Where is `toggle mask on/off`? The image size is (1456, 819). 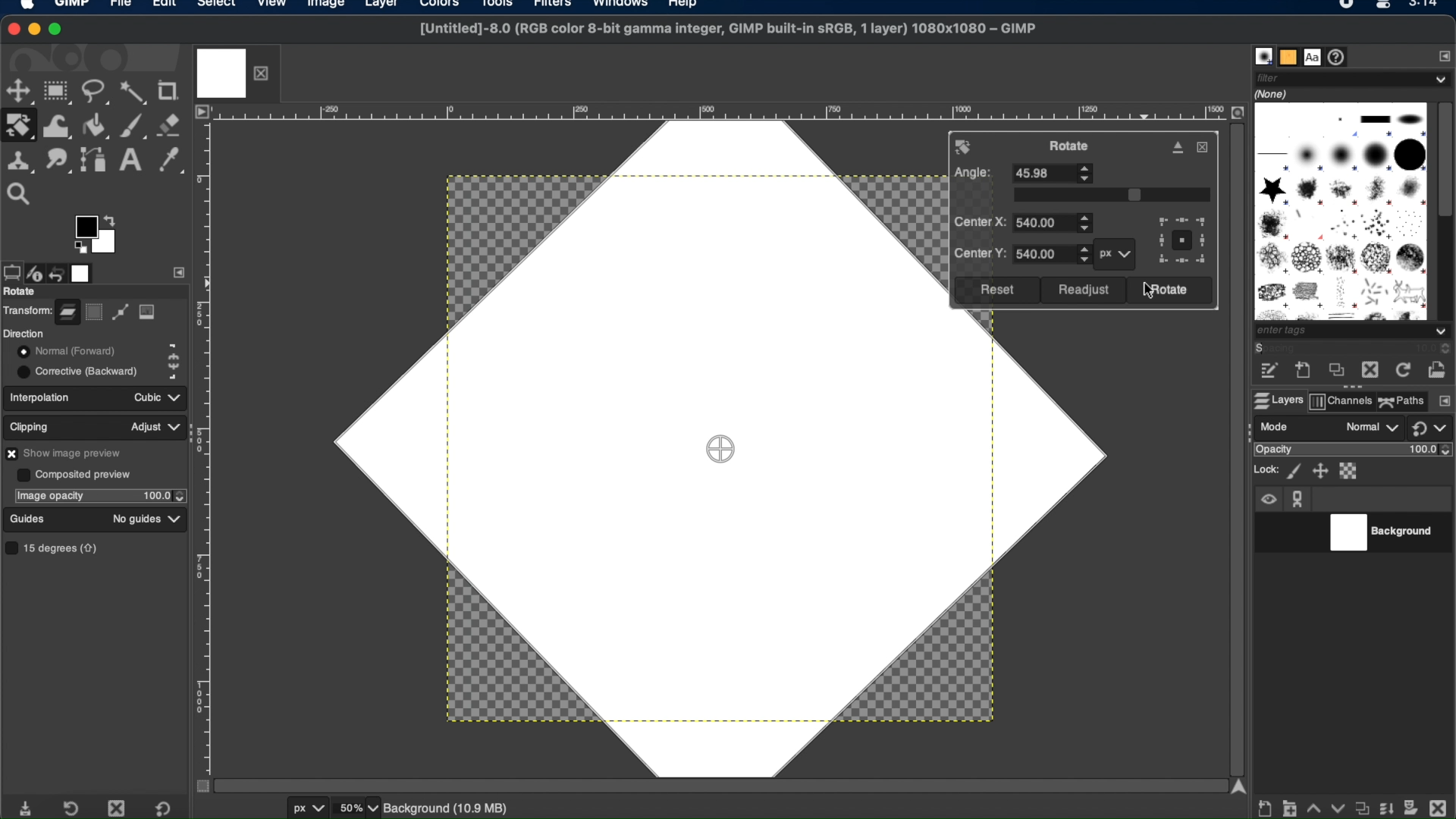 toggle mask on/off is located at coordinates (198, 786).